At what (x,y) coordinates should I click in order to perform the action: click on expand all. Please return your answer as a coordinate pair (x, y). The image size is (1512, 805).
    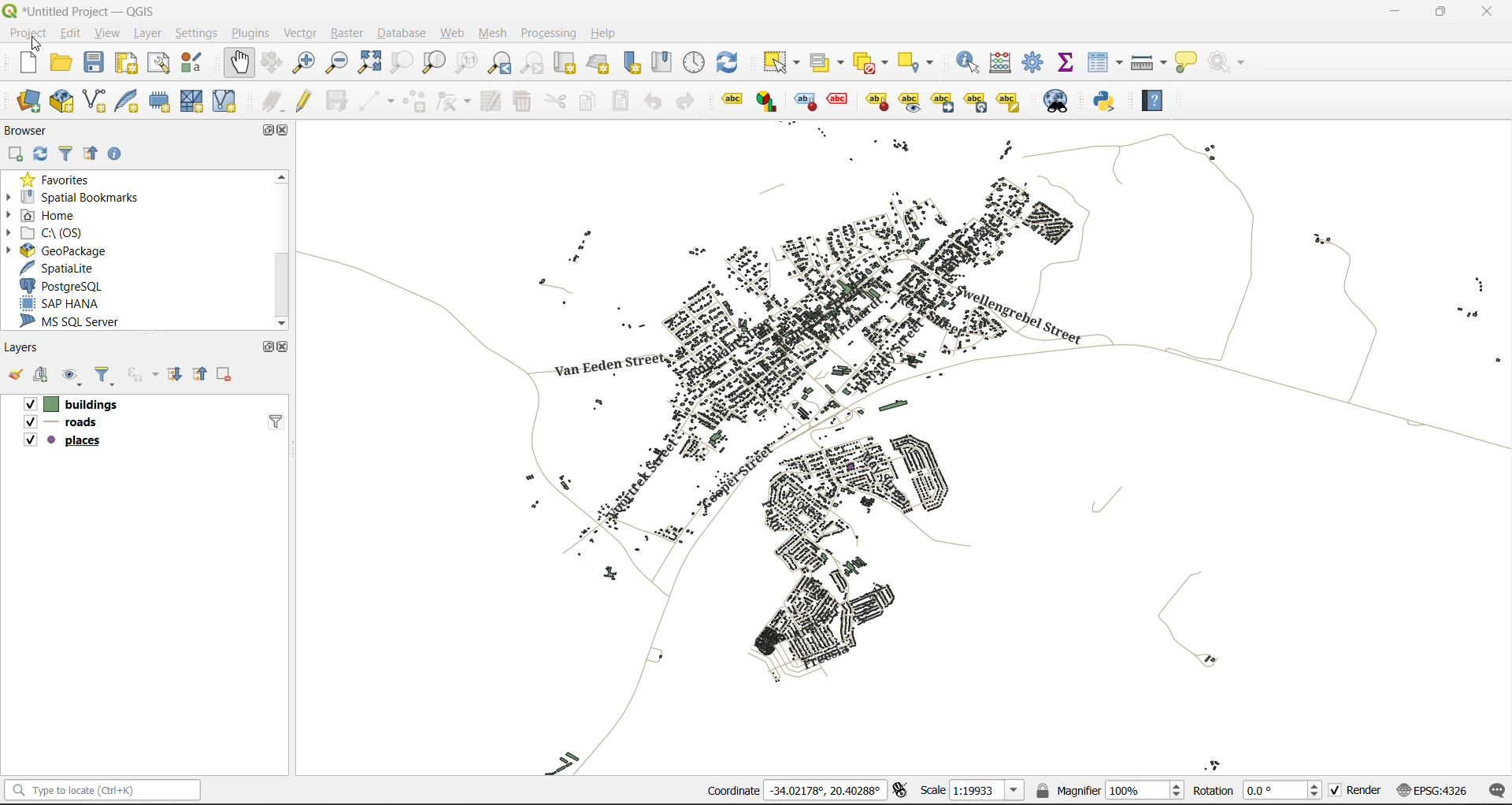
    Looking at the image, I should click on (174, 373).